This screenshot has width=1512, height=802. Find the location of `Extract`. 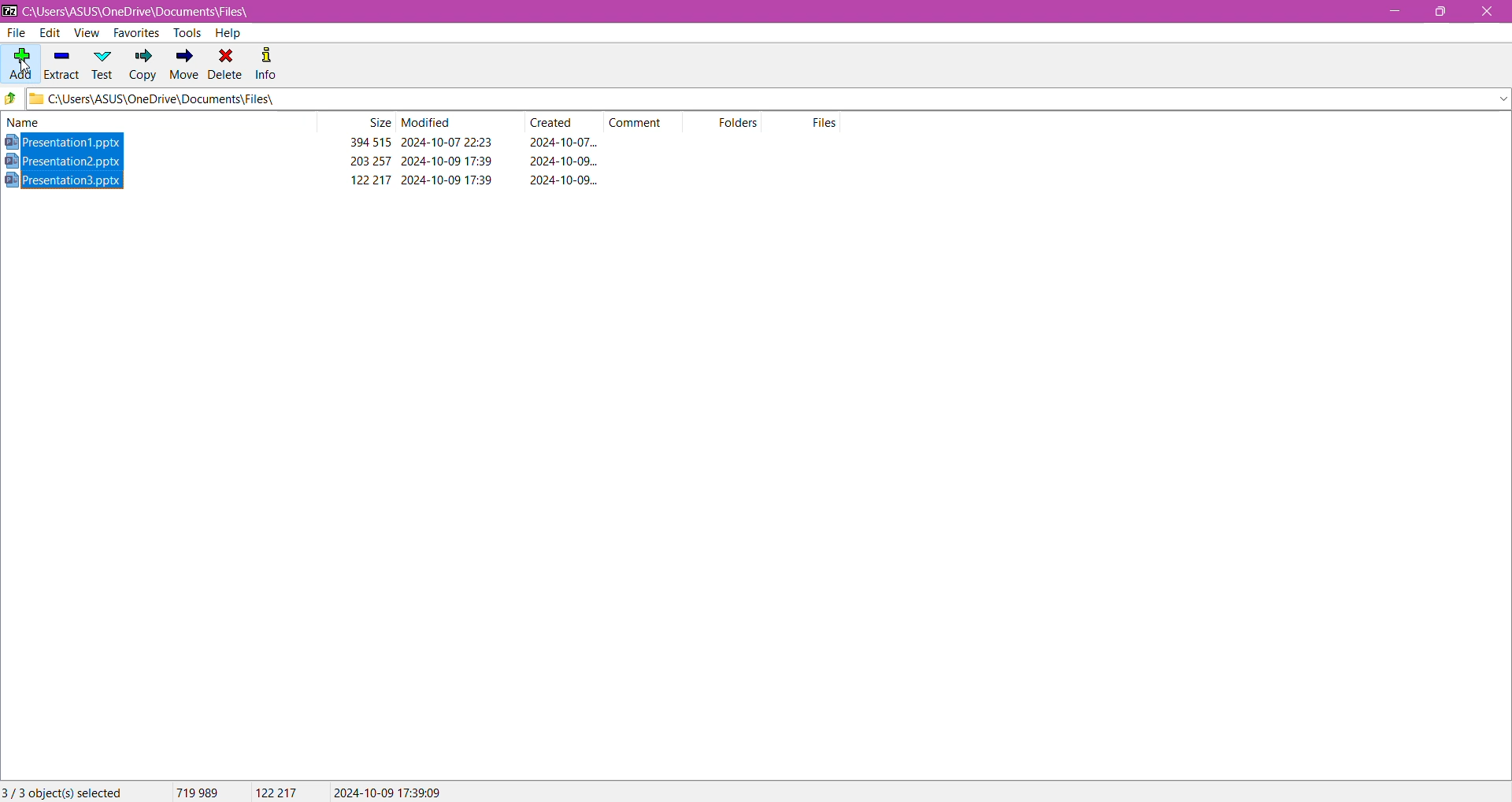

Extract is located at coordinates (61, 61).